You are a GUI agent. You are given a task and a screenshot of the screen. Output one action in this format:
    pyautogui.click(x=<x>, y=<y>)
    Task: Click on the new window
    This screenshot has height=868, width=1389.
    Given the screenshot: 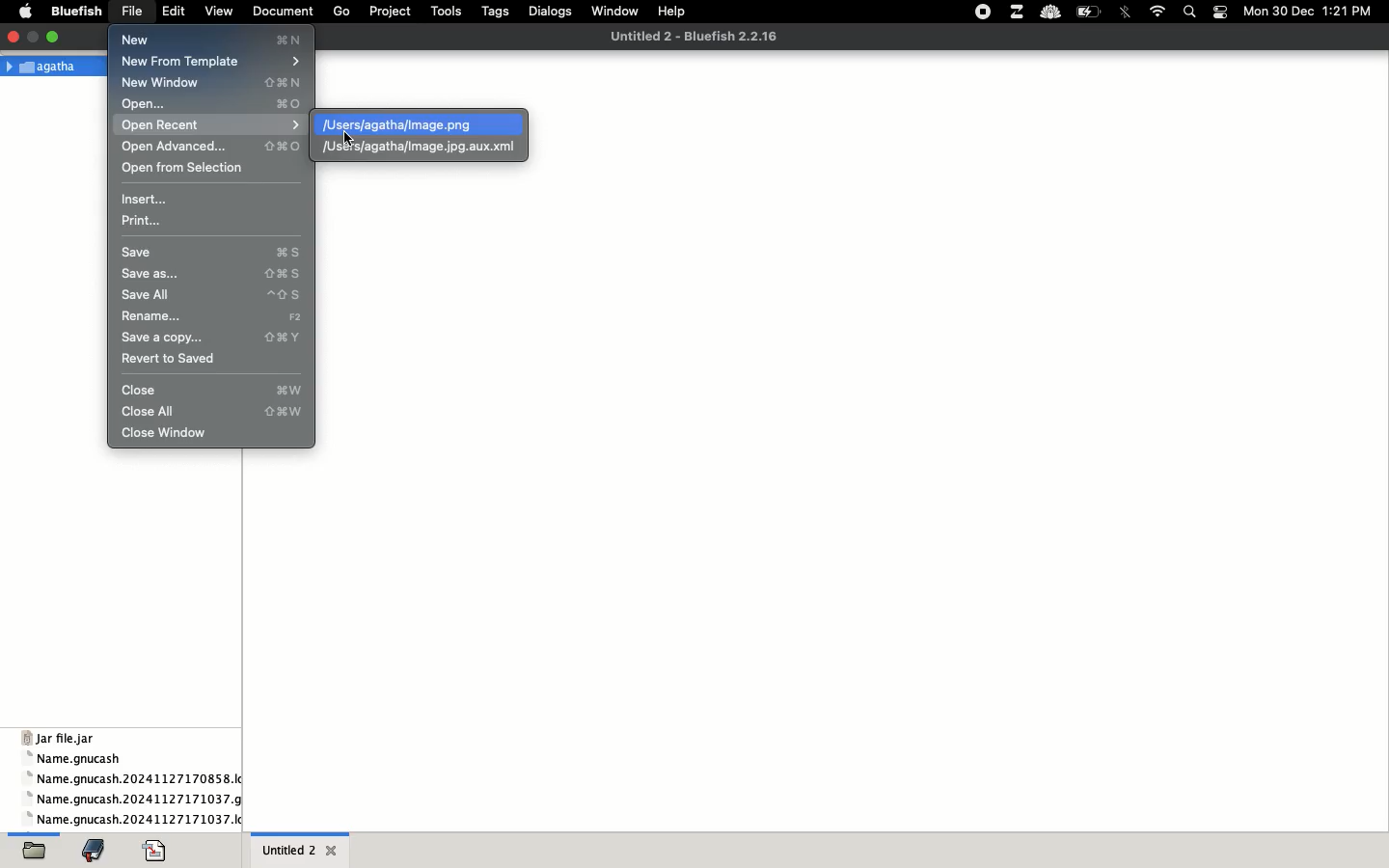 What is the action you would take?
    pyautogui.click(x=207, y=83)
    